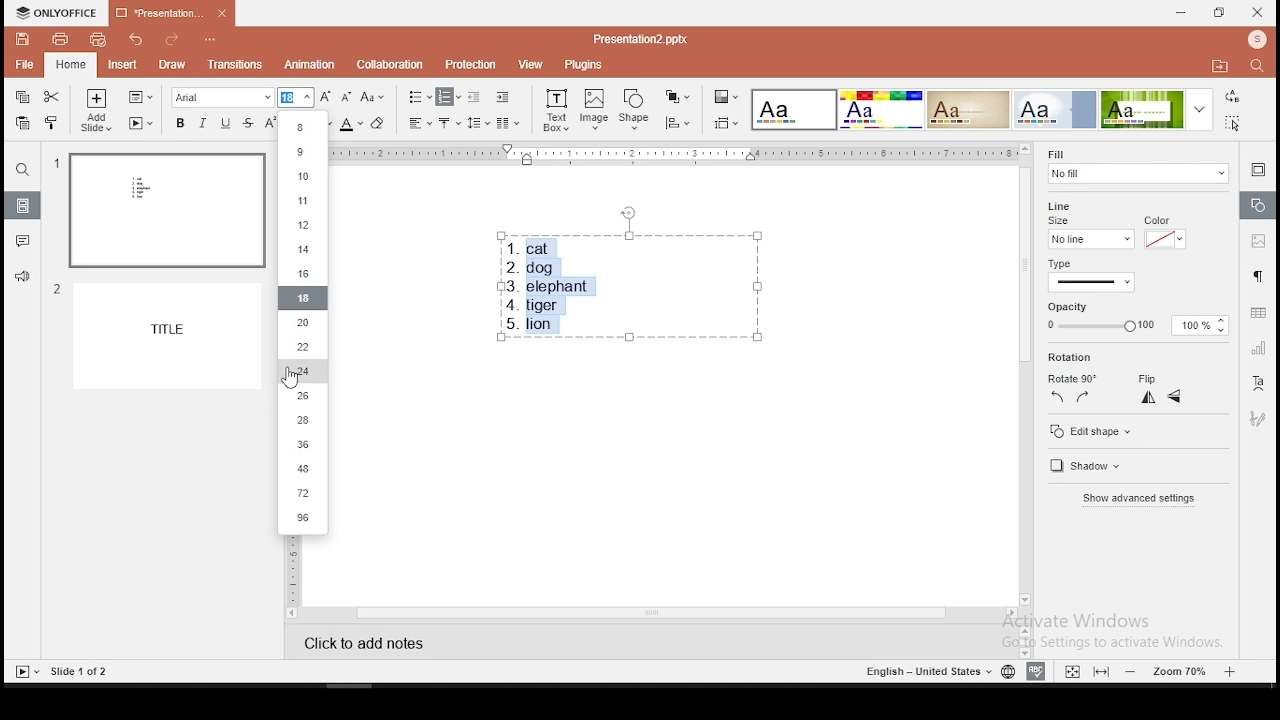 This screenshot has height=720, width=1280. I want to click on 9, so click(304, 154).